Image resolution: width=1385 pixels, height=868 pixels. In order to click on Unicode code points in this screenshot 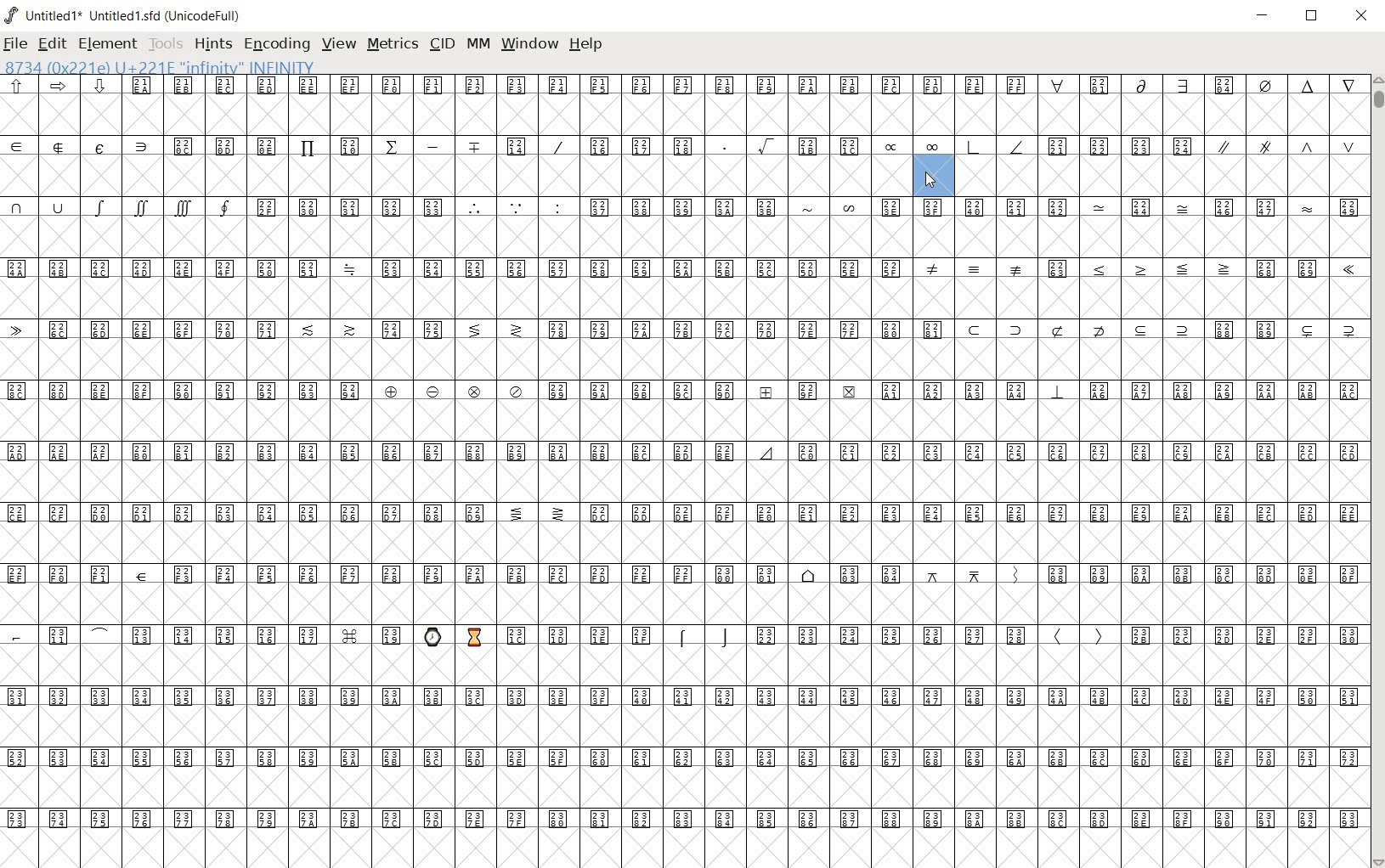, I will do `click(574, 635)`.